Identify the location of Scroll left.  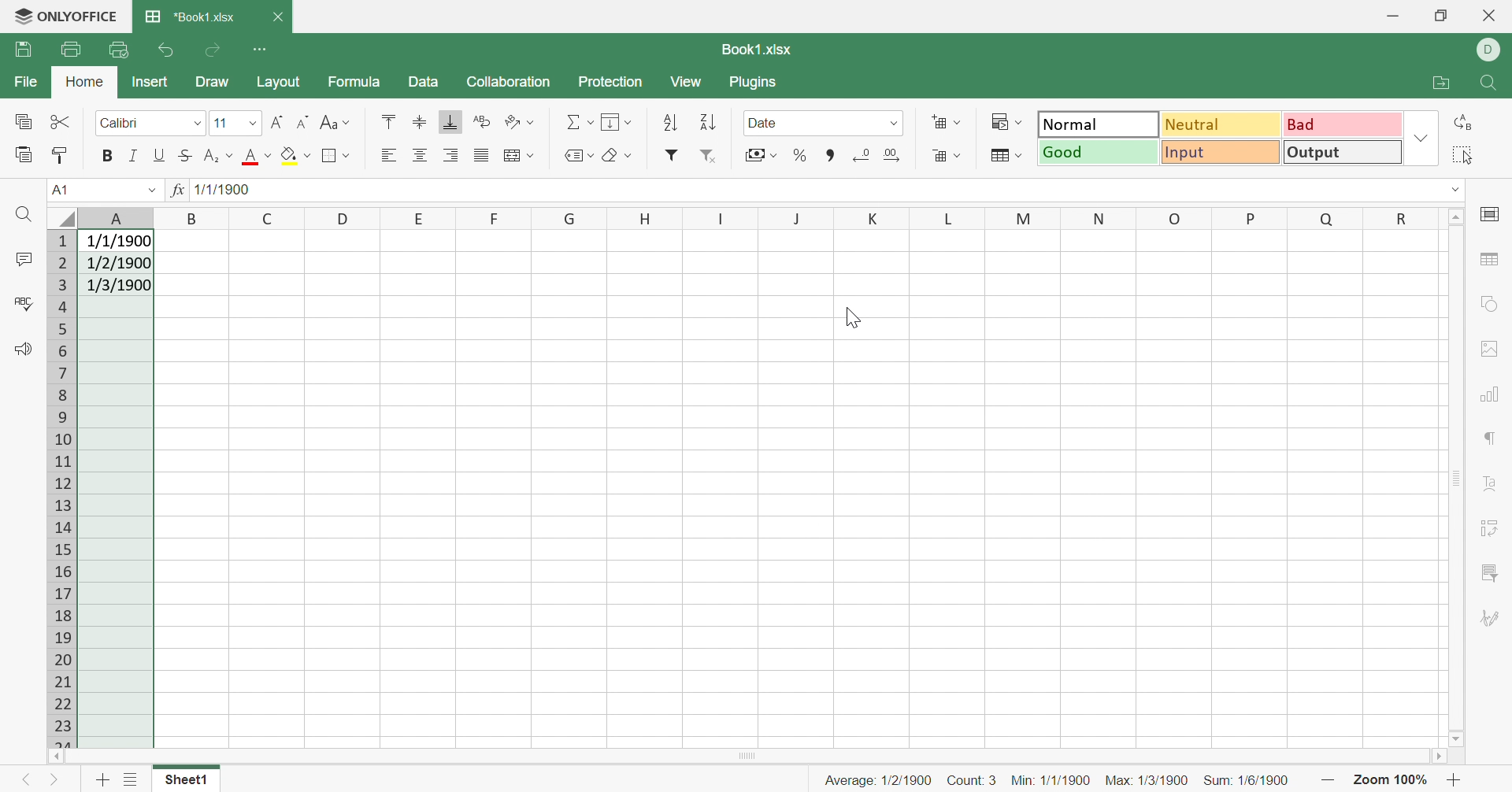
(56, 757).